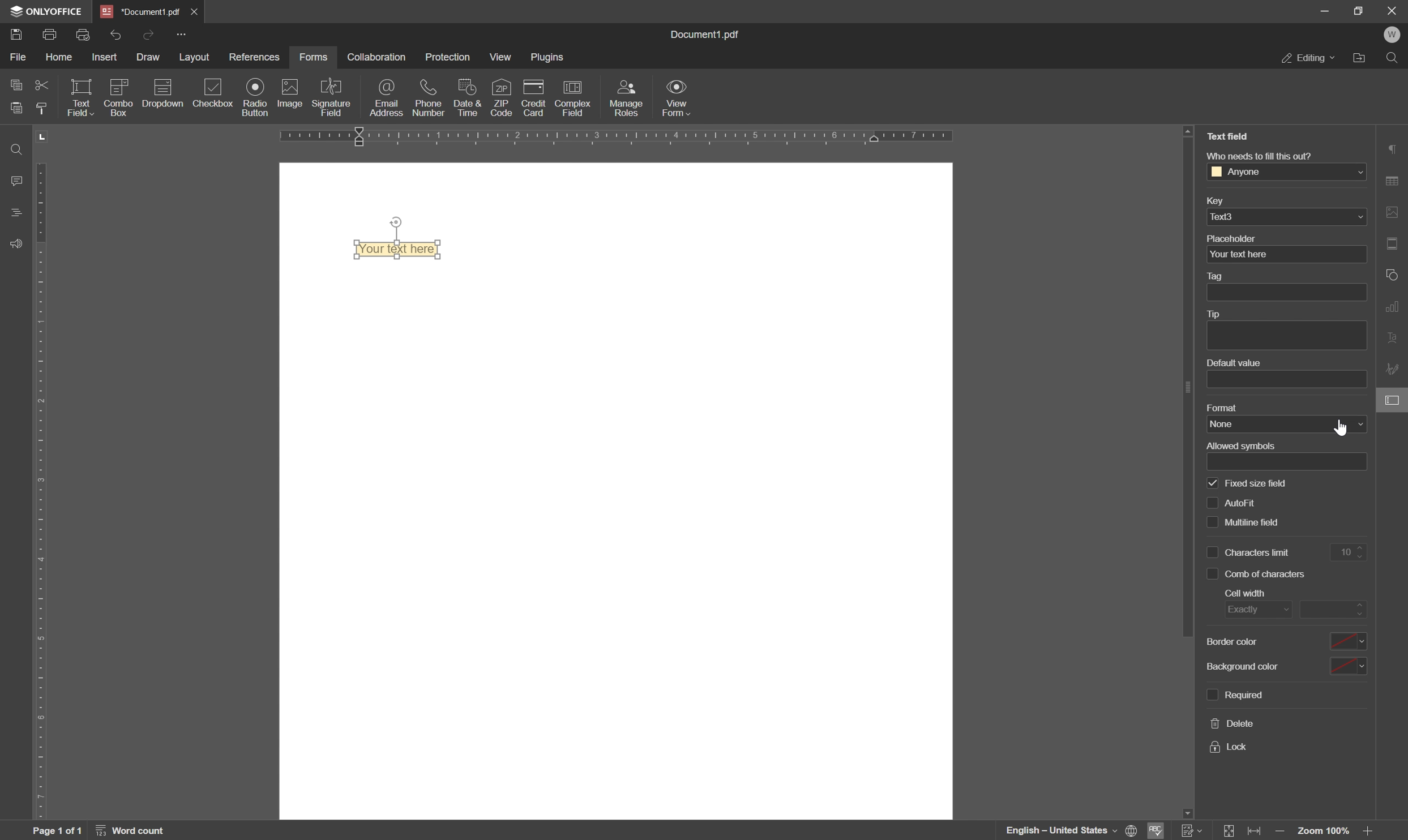 The image size is (1408, 840). I want to click on redo, so click(149, 33).